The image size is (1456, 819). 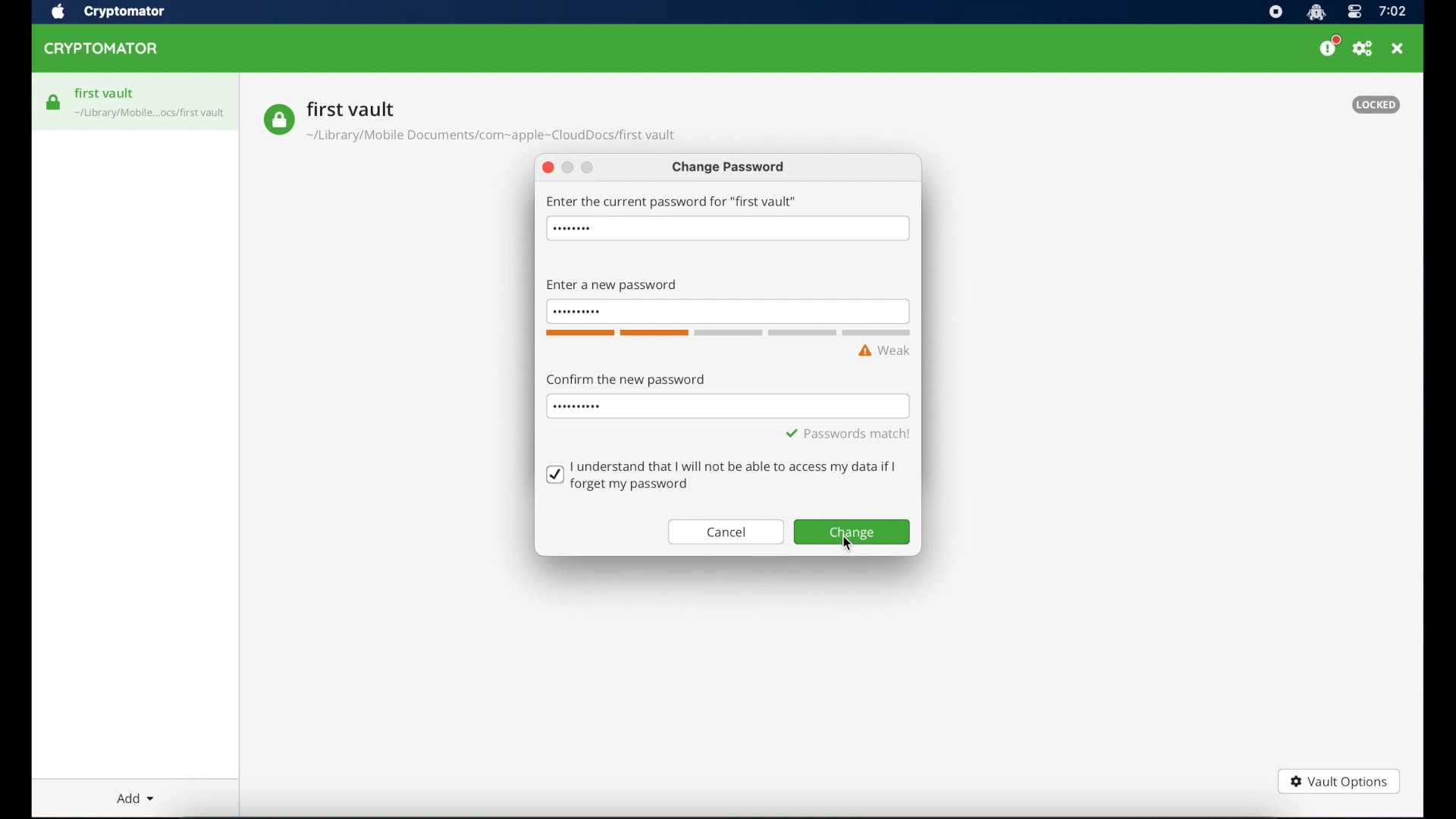 What do you see at coordinates (57, 12) in the screenshot?
I see `apple icon` at bounding box center [57, 12].